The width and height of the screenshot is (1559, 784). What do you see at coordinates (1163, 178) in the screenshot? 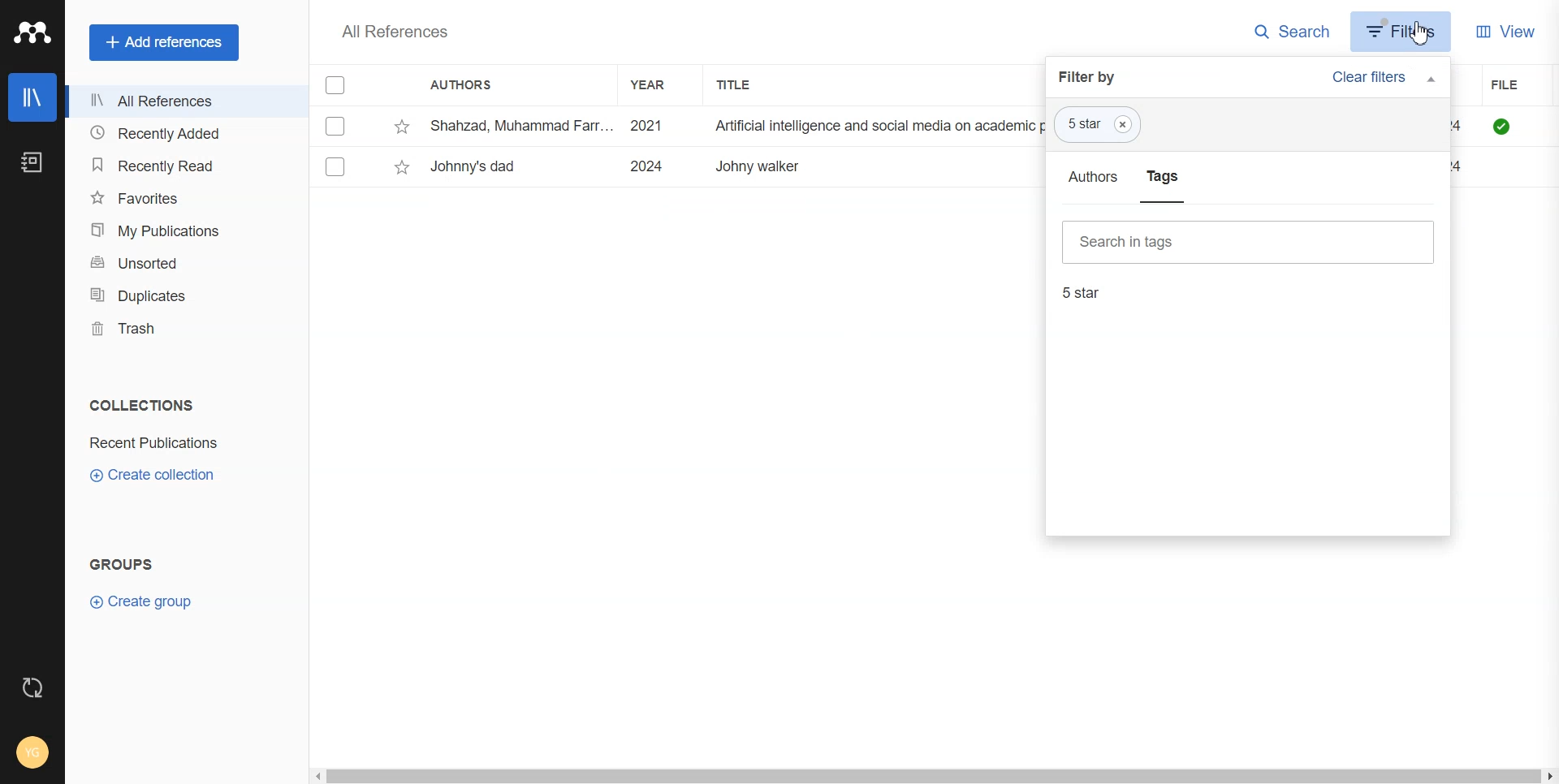
I see `Tags` at bounding box center [1163, 178].